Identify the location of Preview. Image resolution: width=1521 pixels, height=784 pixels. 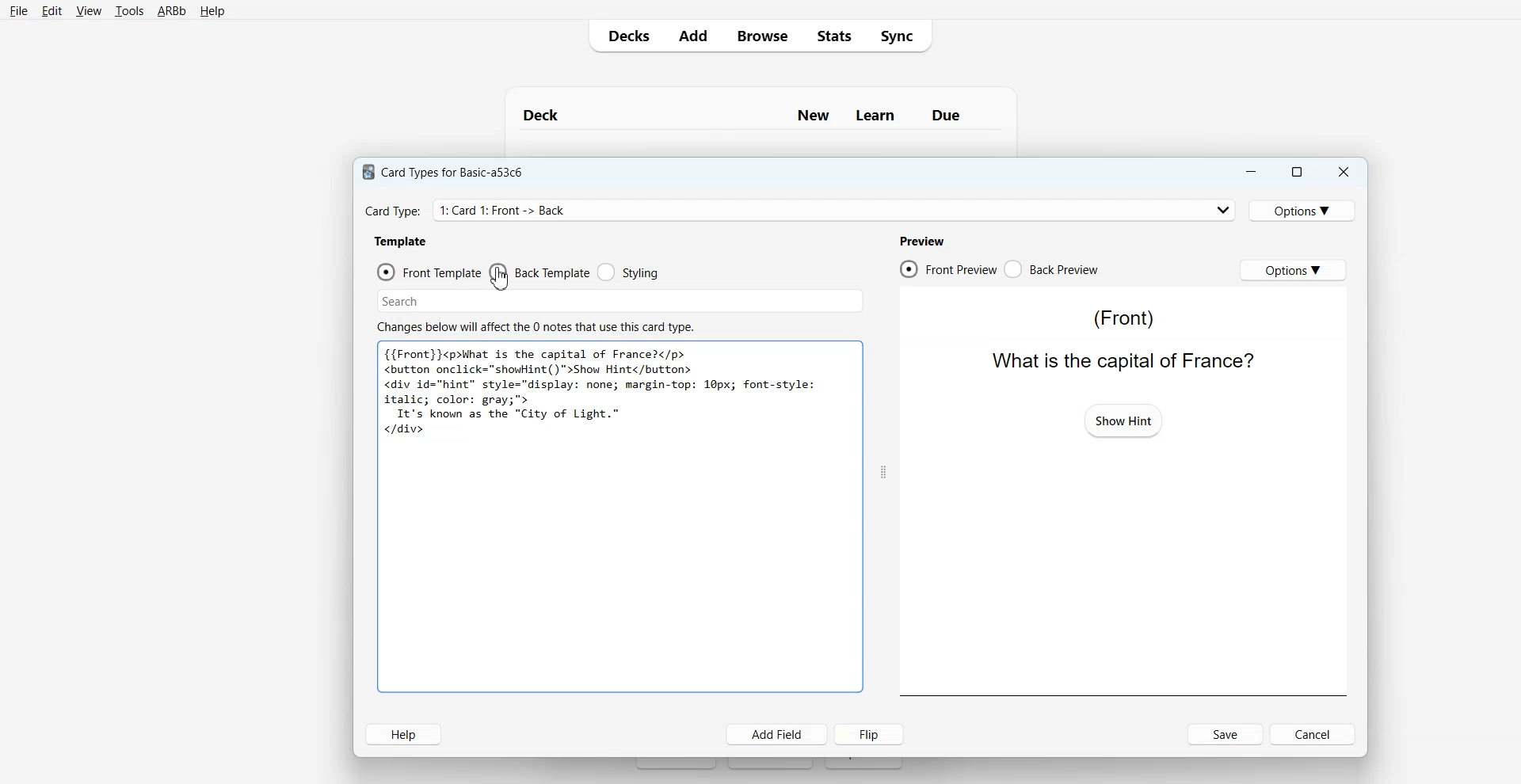
(921, 241).